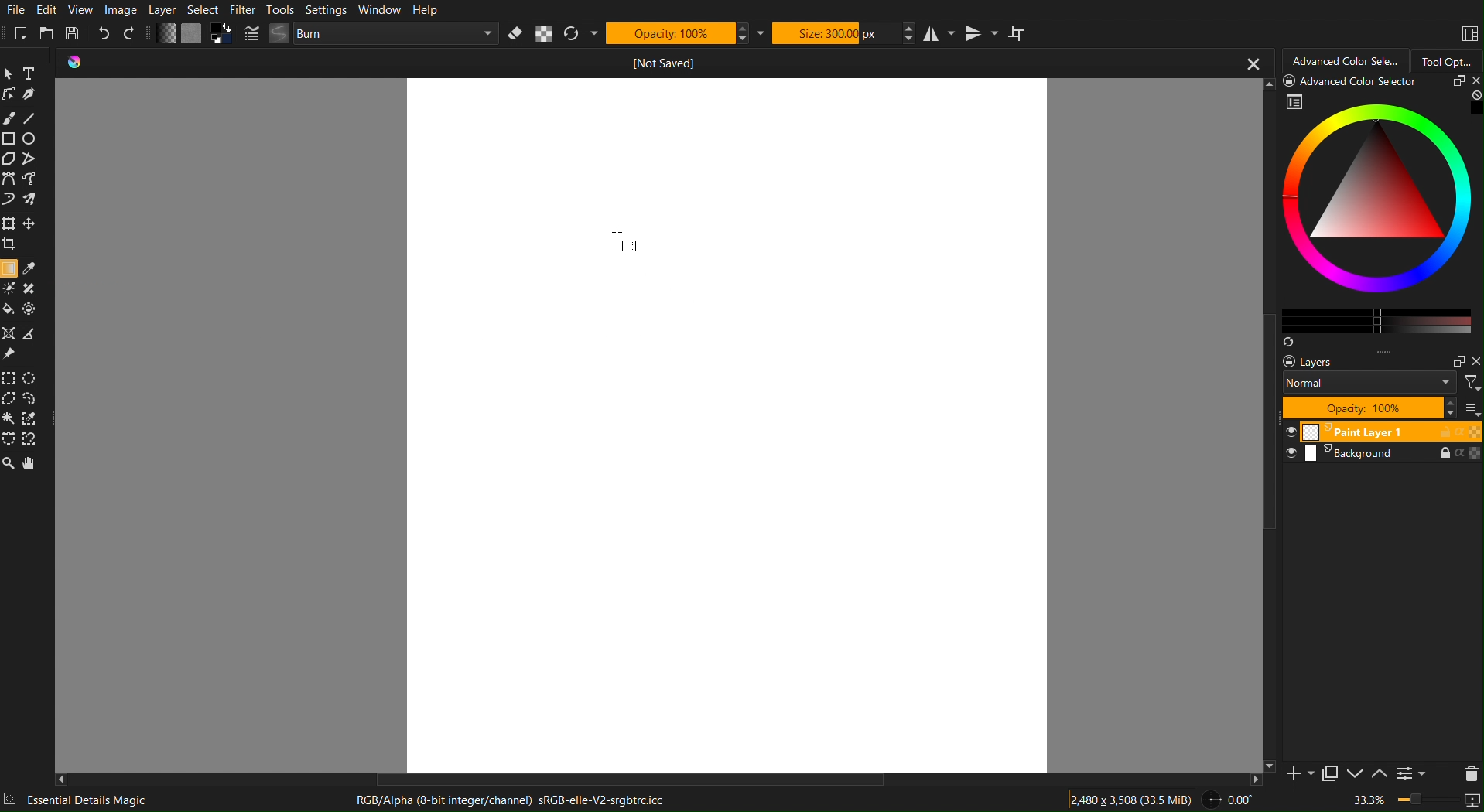  I want to click on Add Slide, so click(1295, 779).